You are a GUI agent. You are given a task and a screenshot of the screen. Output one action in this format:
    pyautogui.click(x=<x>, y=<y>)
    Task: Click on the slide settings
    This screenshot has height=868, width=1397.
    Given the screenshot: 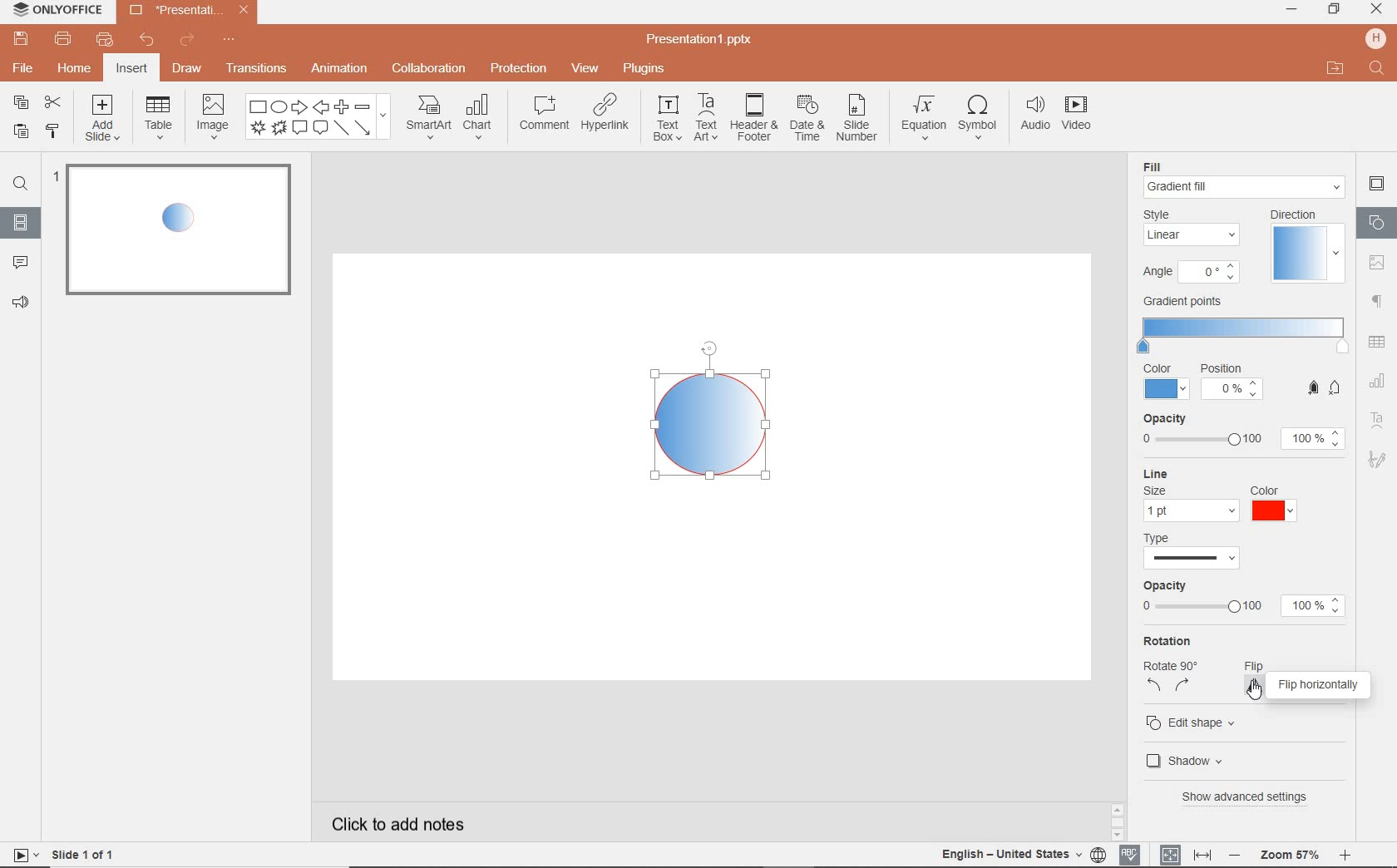 What is the action you would take?
    pyautogui.click(x=1376, y=184)
    